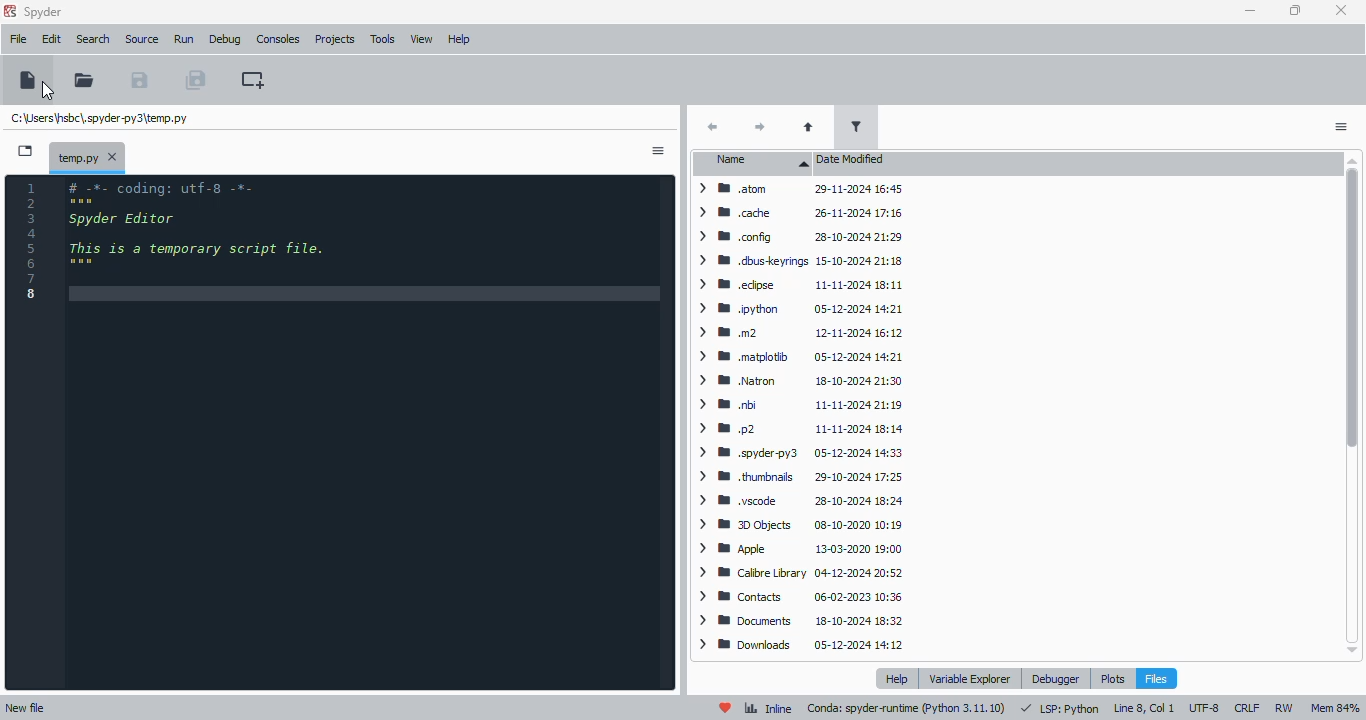 The width and height of the screenshot is (1366, 720). What do you see at coordinates (800, 620) in the screenshot?
I see `> B® Documents 18-10-2024 18:32` at bounding box center [800, 620].